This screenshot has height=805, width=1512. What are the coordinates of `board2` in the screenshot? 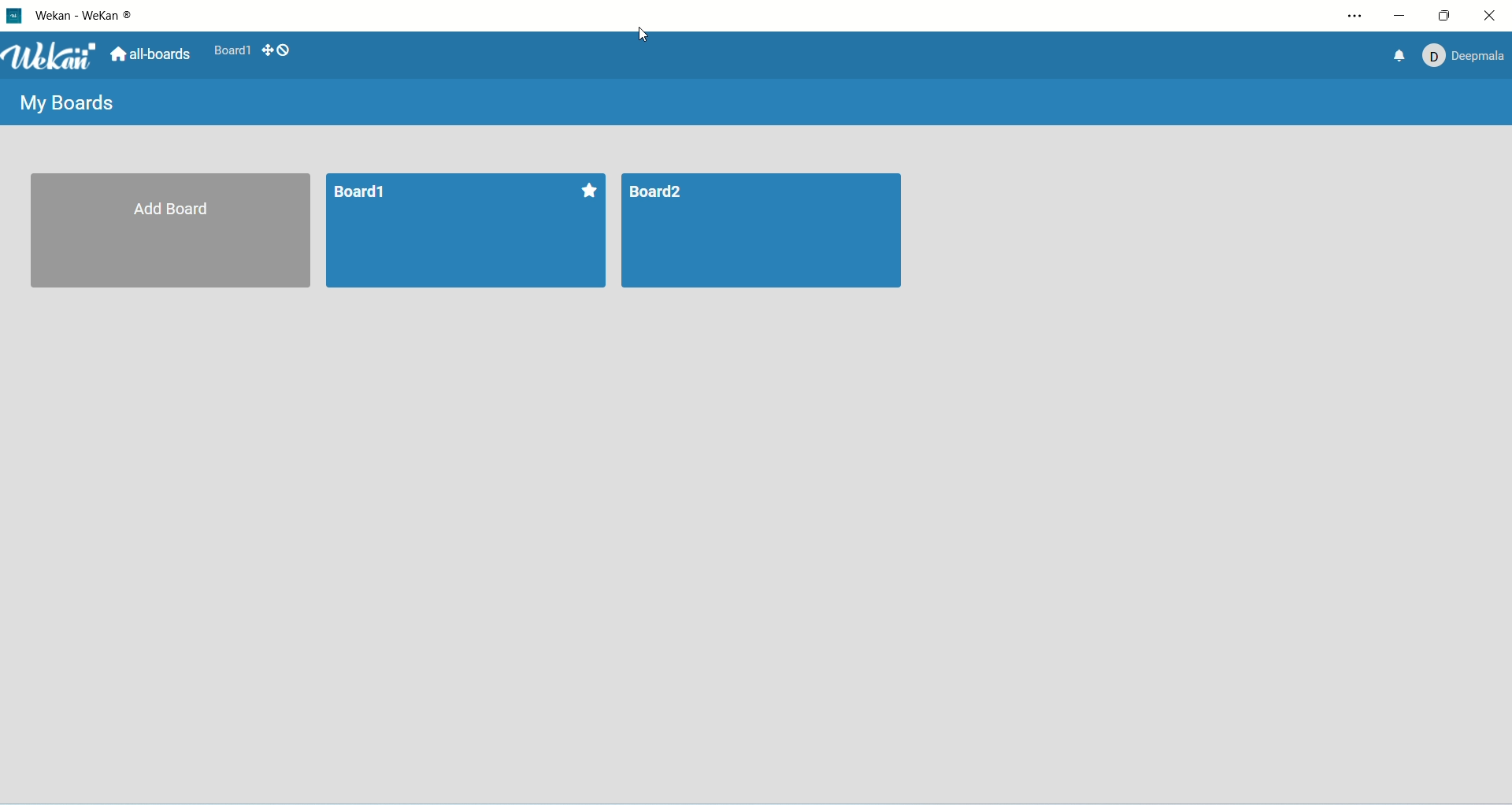 It's located at (762, 232).